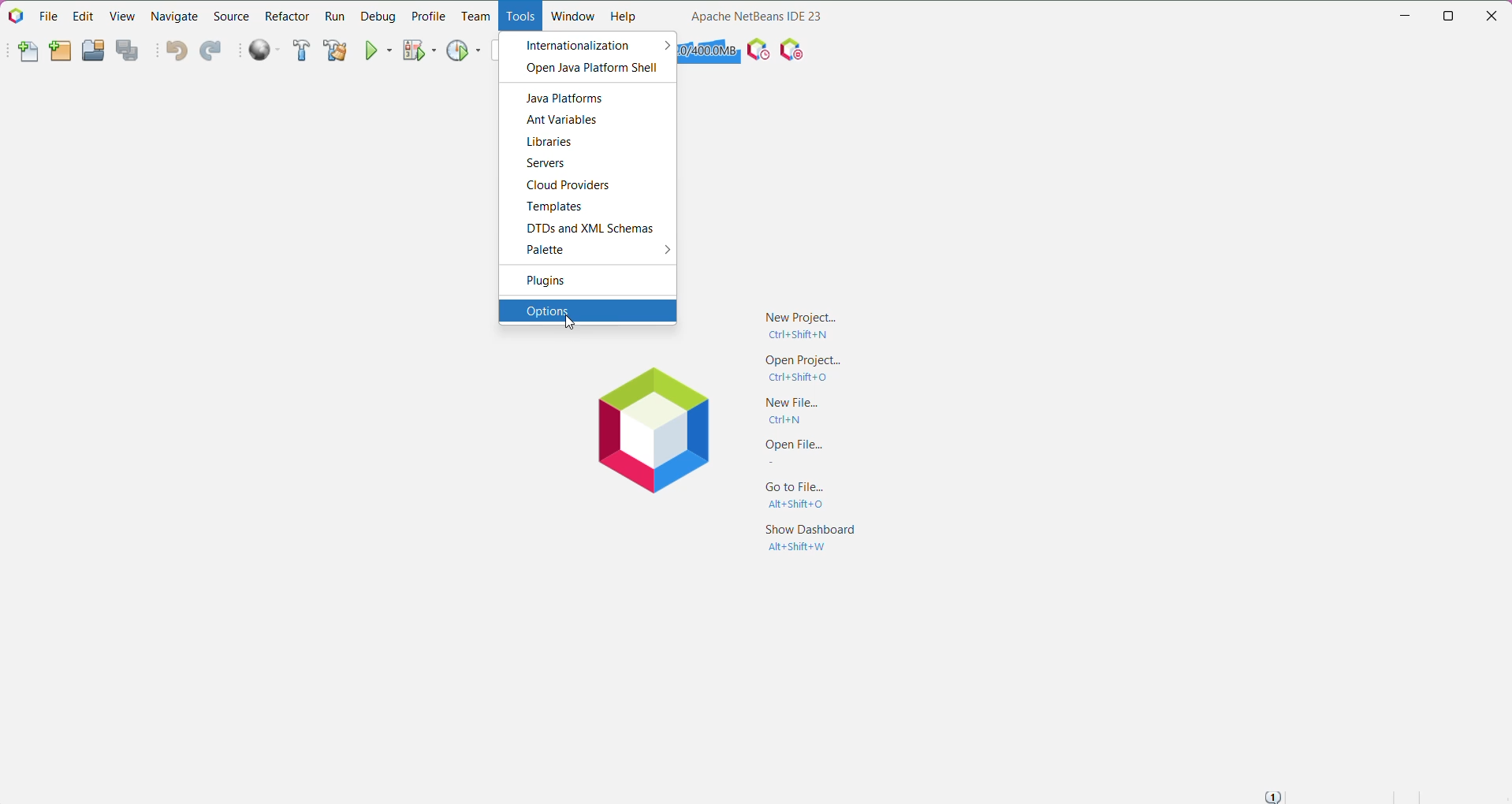  Describe the element at coordinates (624, 18) in the screenshot. I see `Help` at that location.